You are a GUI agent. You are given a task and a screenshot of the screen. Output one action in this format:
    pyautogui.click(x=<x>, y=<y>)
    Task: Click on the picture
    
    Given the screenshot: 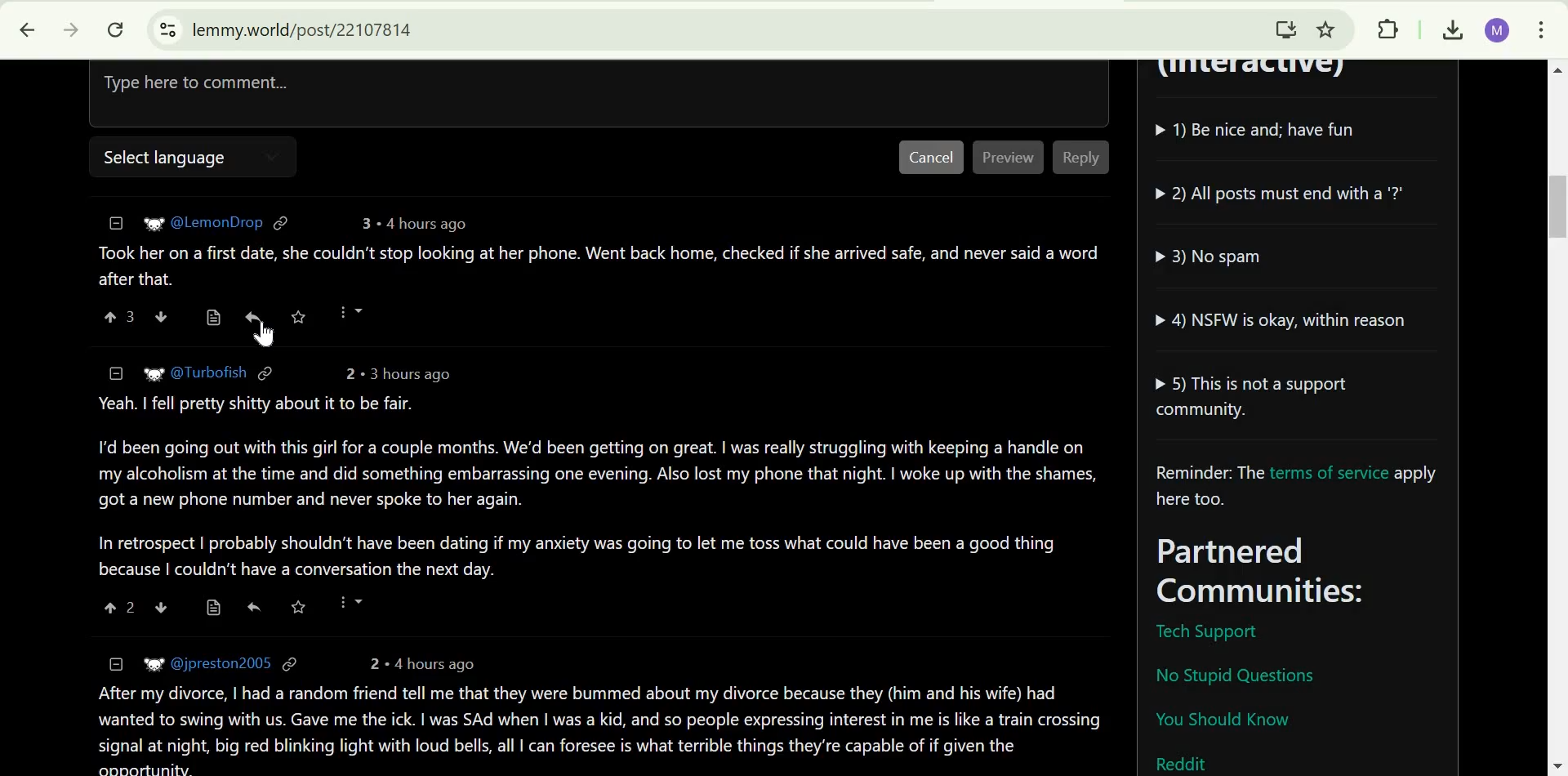 What is the action you would take?
    pyautogui.click(x=155, y=372)
    